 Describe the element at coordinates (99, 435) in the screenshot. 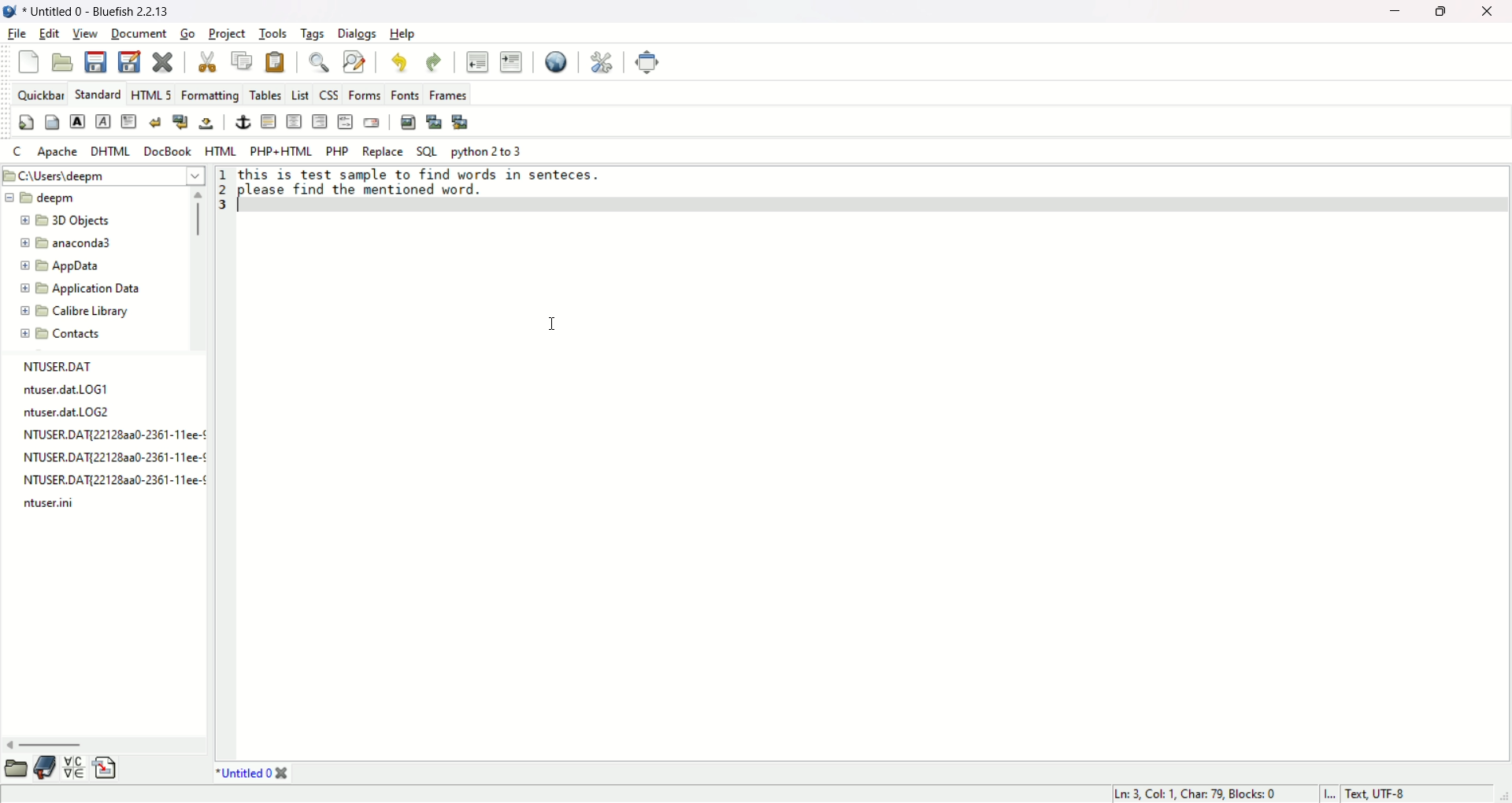

I see `NTUSER.DAT{22128aa0-2361-11ee` at that location.